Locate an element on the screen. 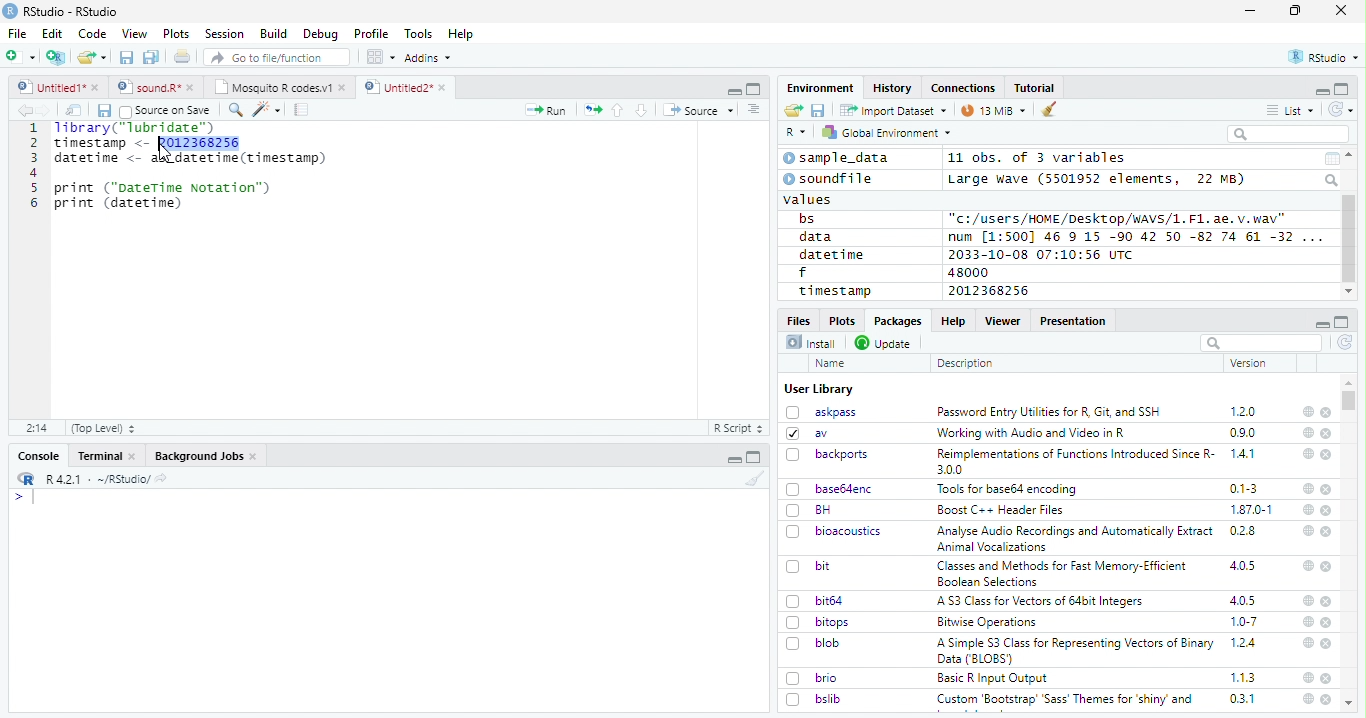 This screenshot has height=718, width=1366. Search is located at coordinates (1333, 180).